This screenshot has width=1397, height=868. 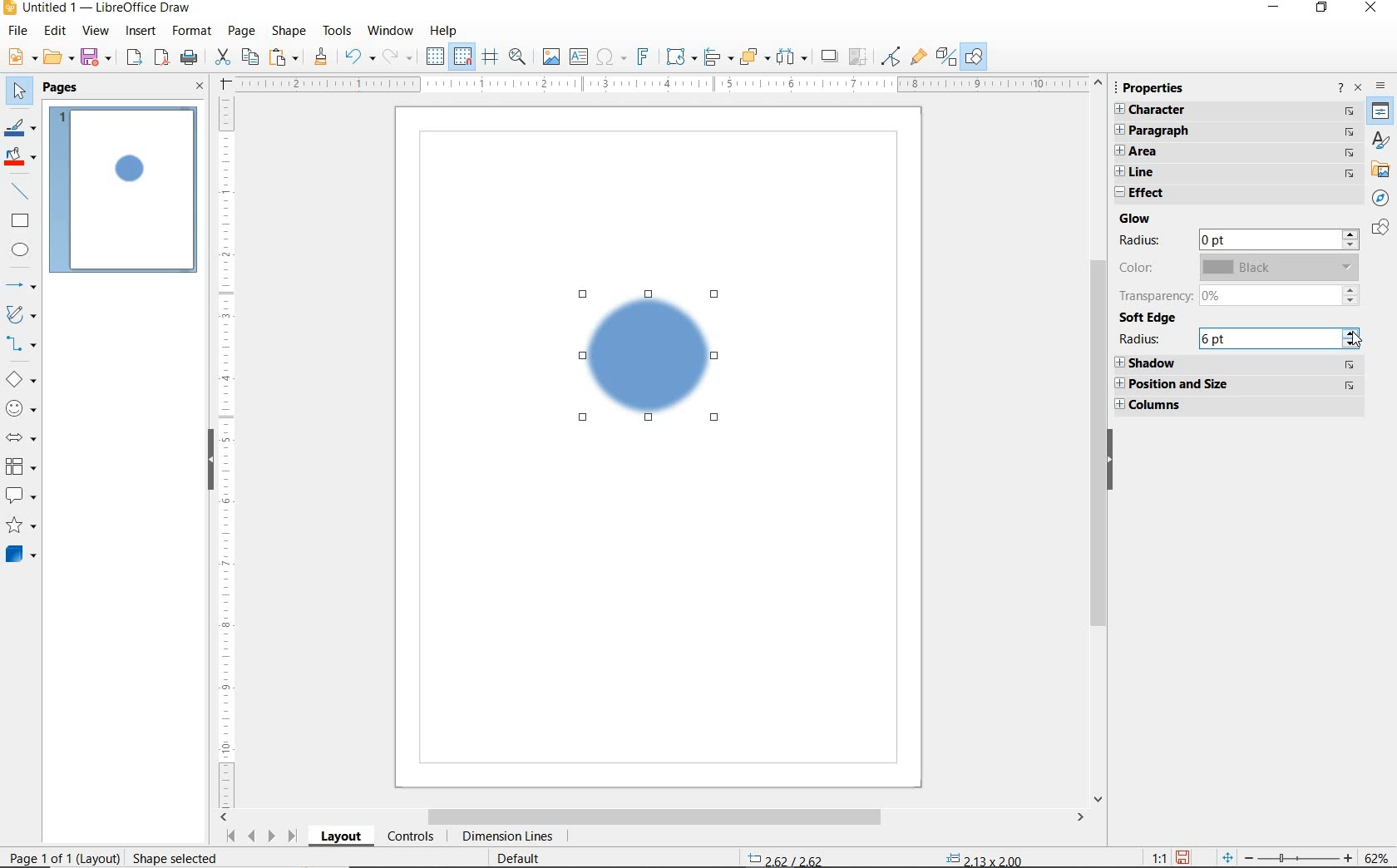 What do you see at coordinates (23, 555) in the screenshot?
I see `3D OBJECTS` at bounding box center [23, 555].